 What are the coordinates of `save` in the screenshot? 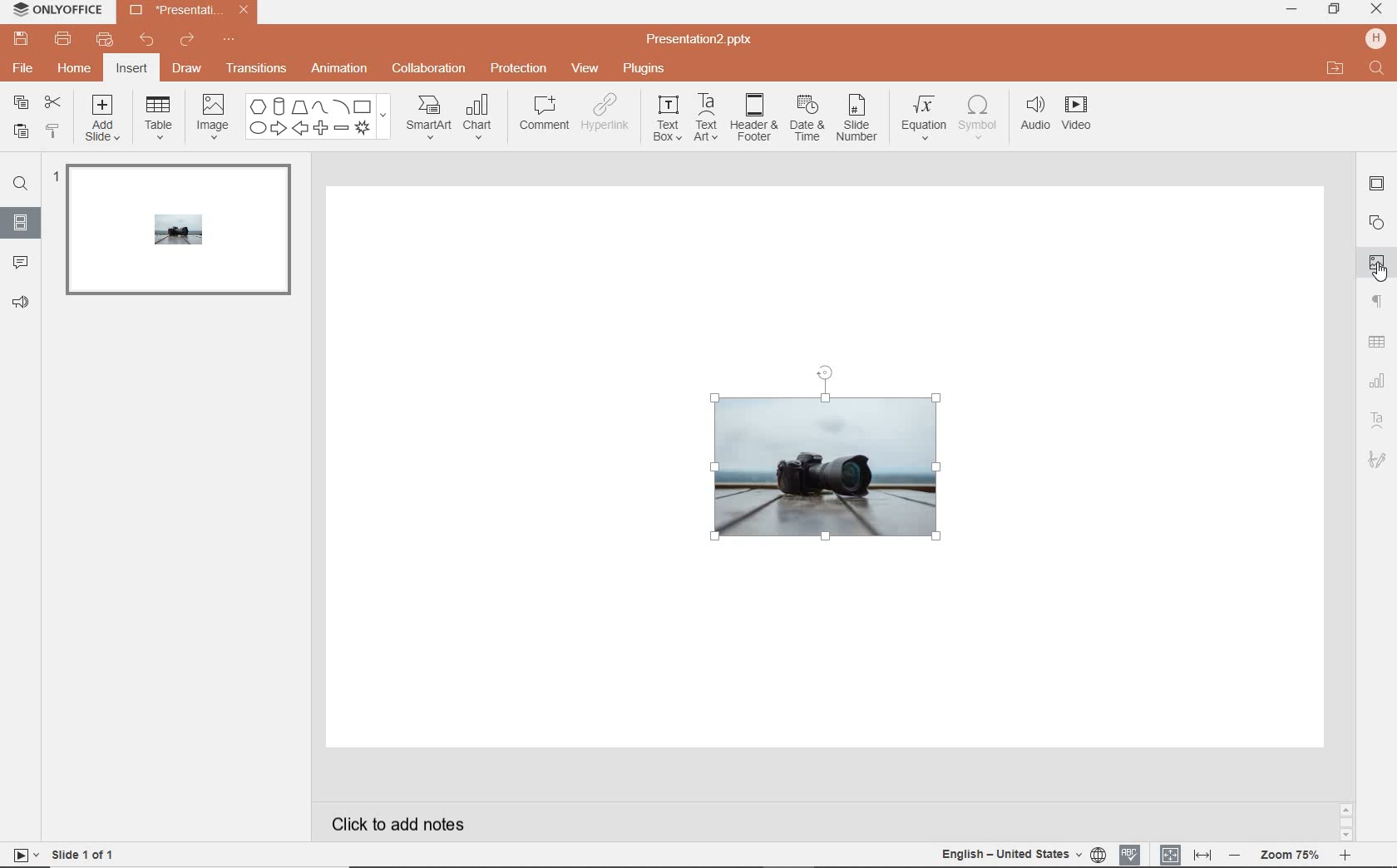 It's located at (22, 39).